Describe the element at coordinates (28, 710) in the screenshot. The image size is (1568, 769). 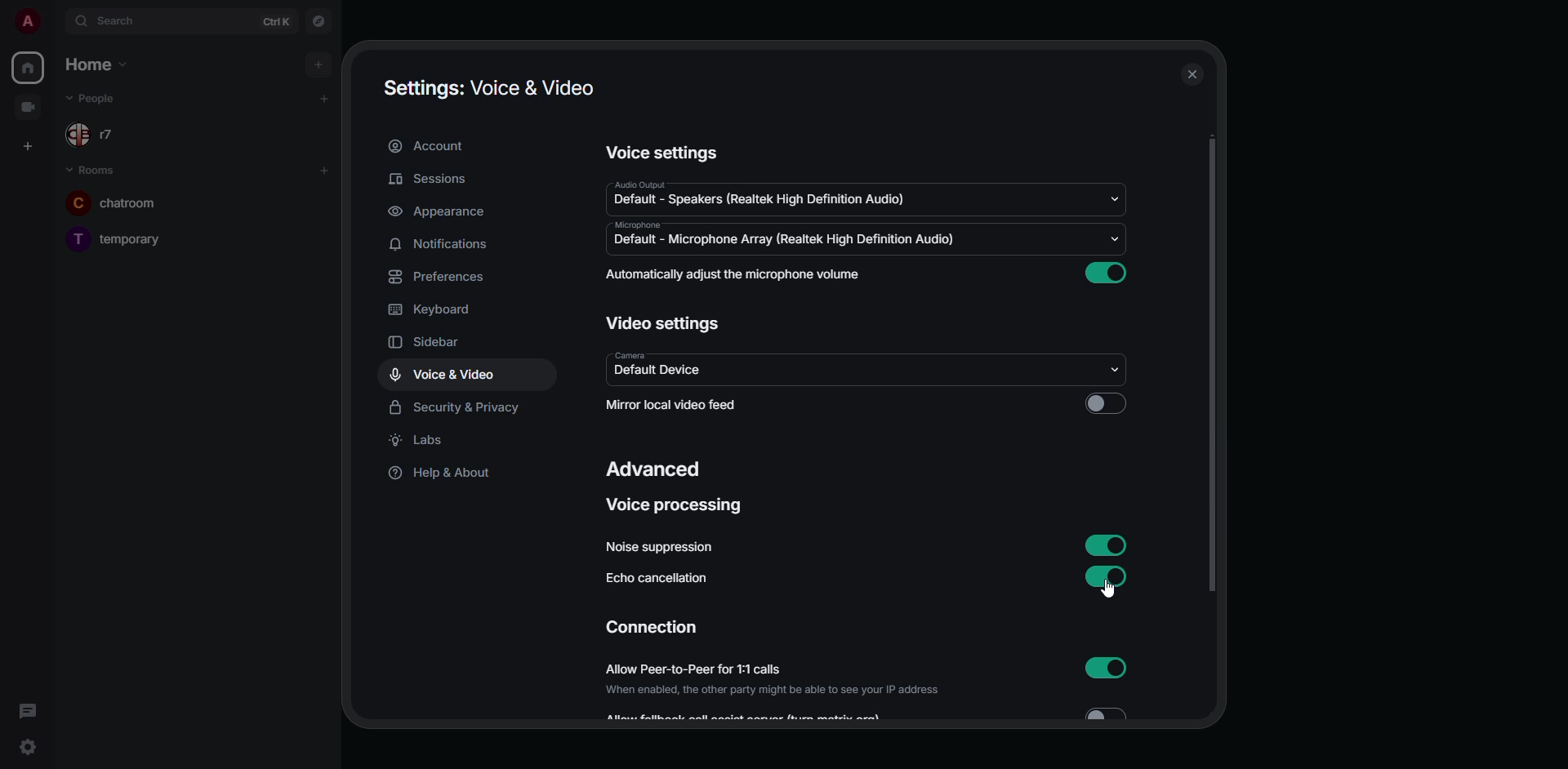
I see `threads` at that location.